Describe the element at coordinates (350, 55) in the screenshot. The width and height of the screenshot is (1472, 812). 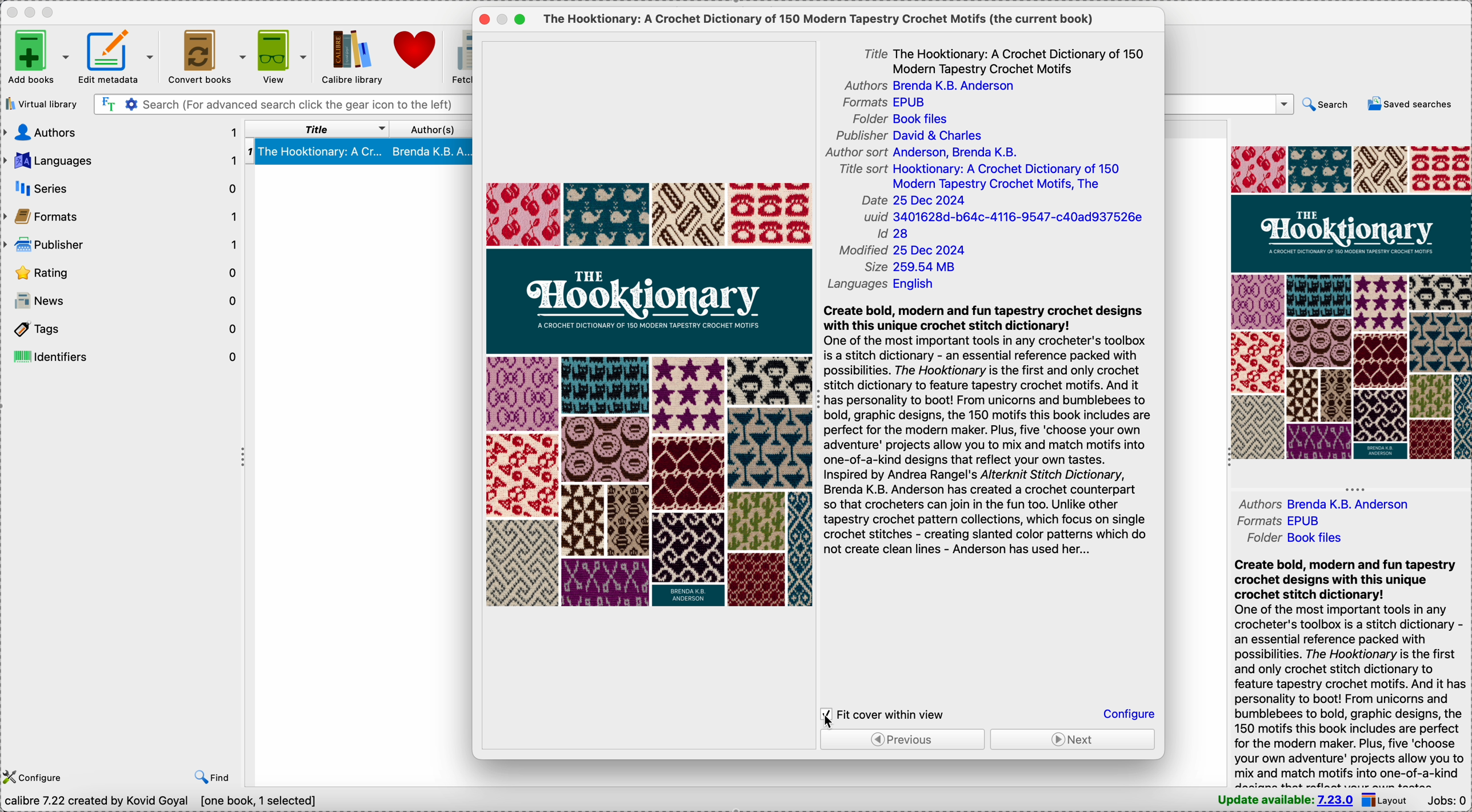
I see `Calibre library` at that location.